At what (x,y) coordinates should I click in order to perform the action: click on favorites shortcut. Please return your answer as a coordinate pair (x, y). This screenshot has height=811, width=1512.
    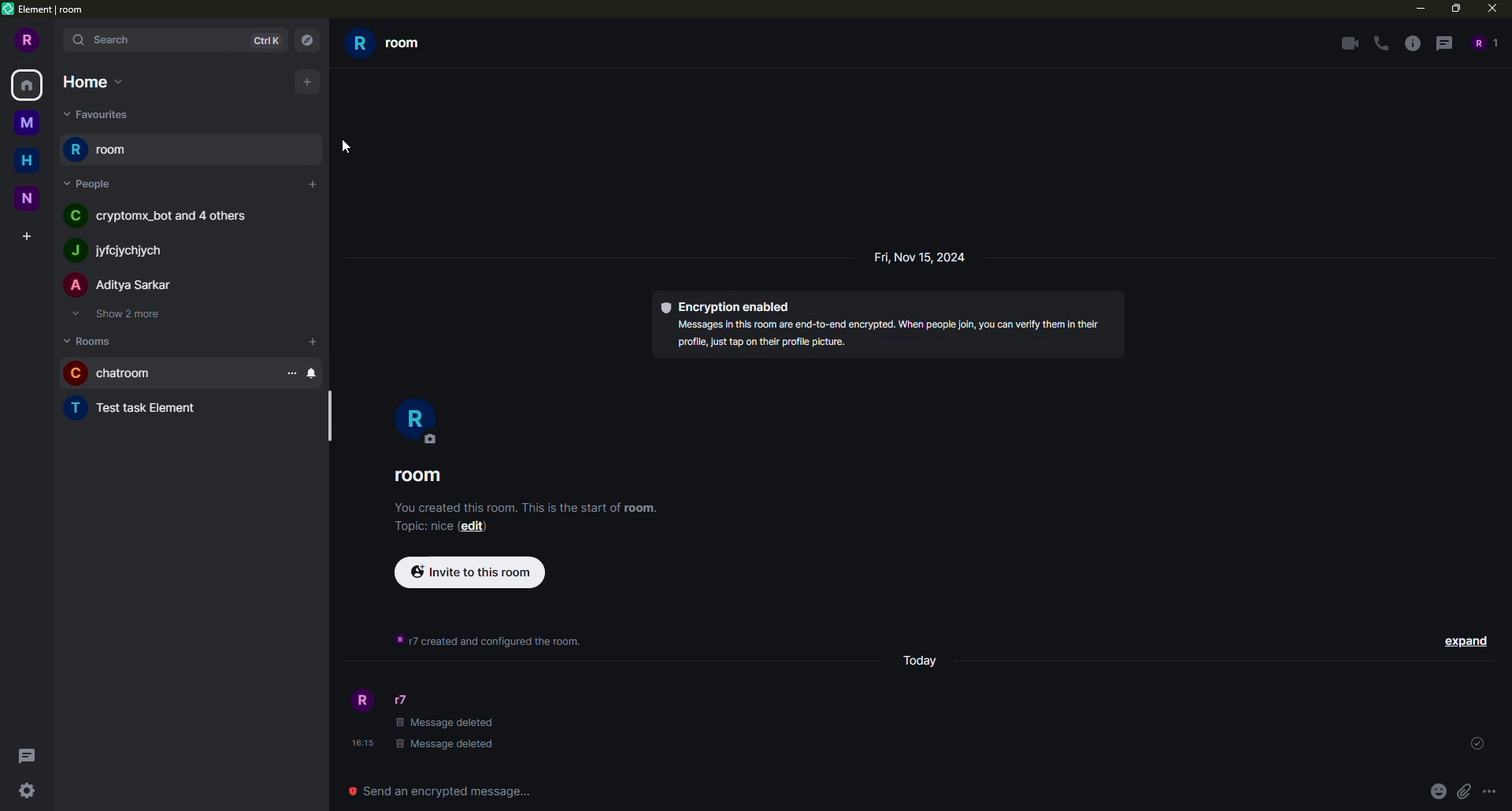
    Looking at the image, I should click on (107, 114).